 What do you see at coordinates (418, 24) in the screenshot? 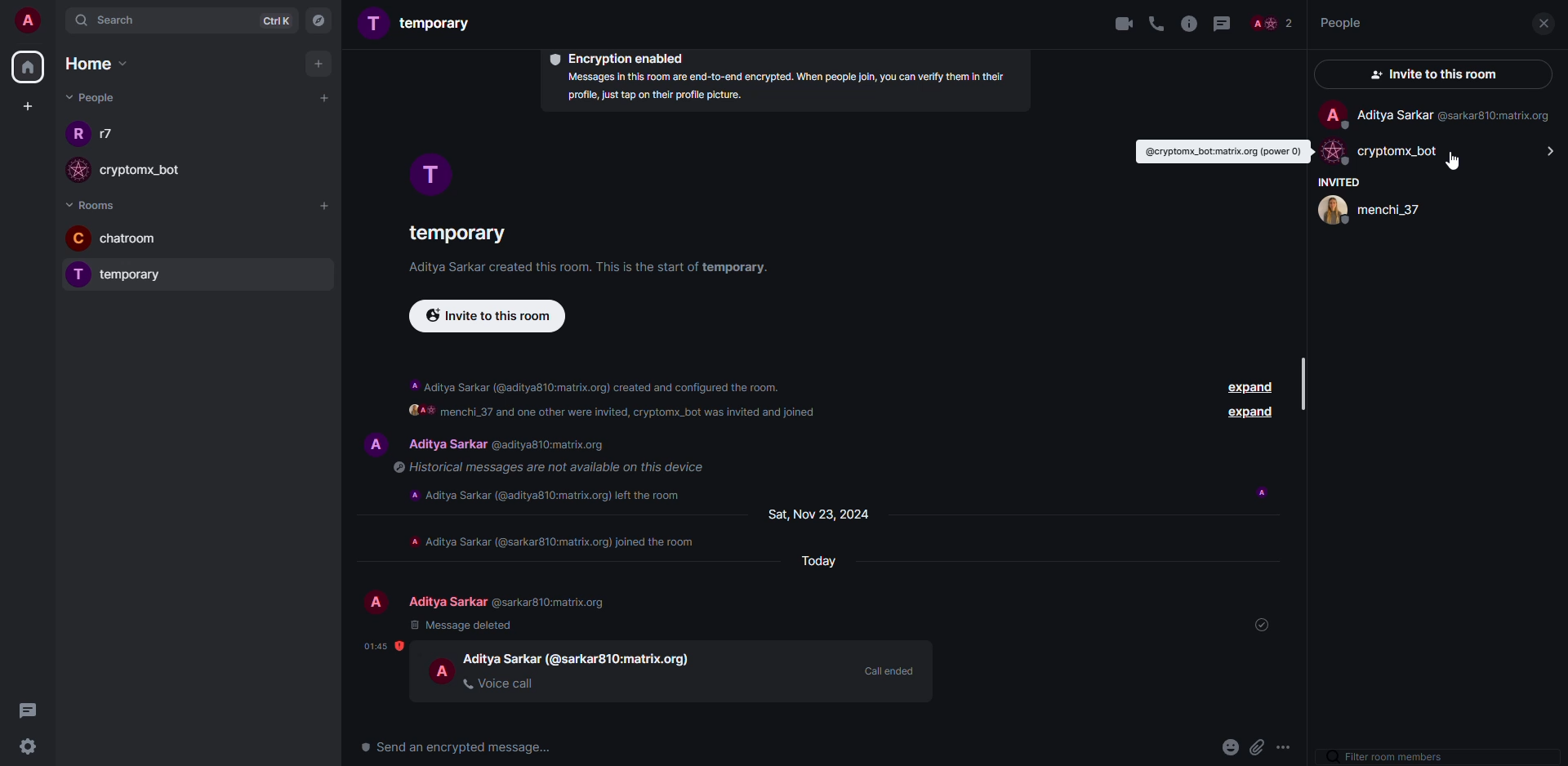
I see `room` at bounding box center [418, 24].